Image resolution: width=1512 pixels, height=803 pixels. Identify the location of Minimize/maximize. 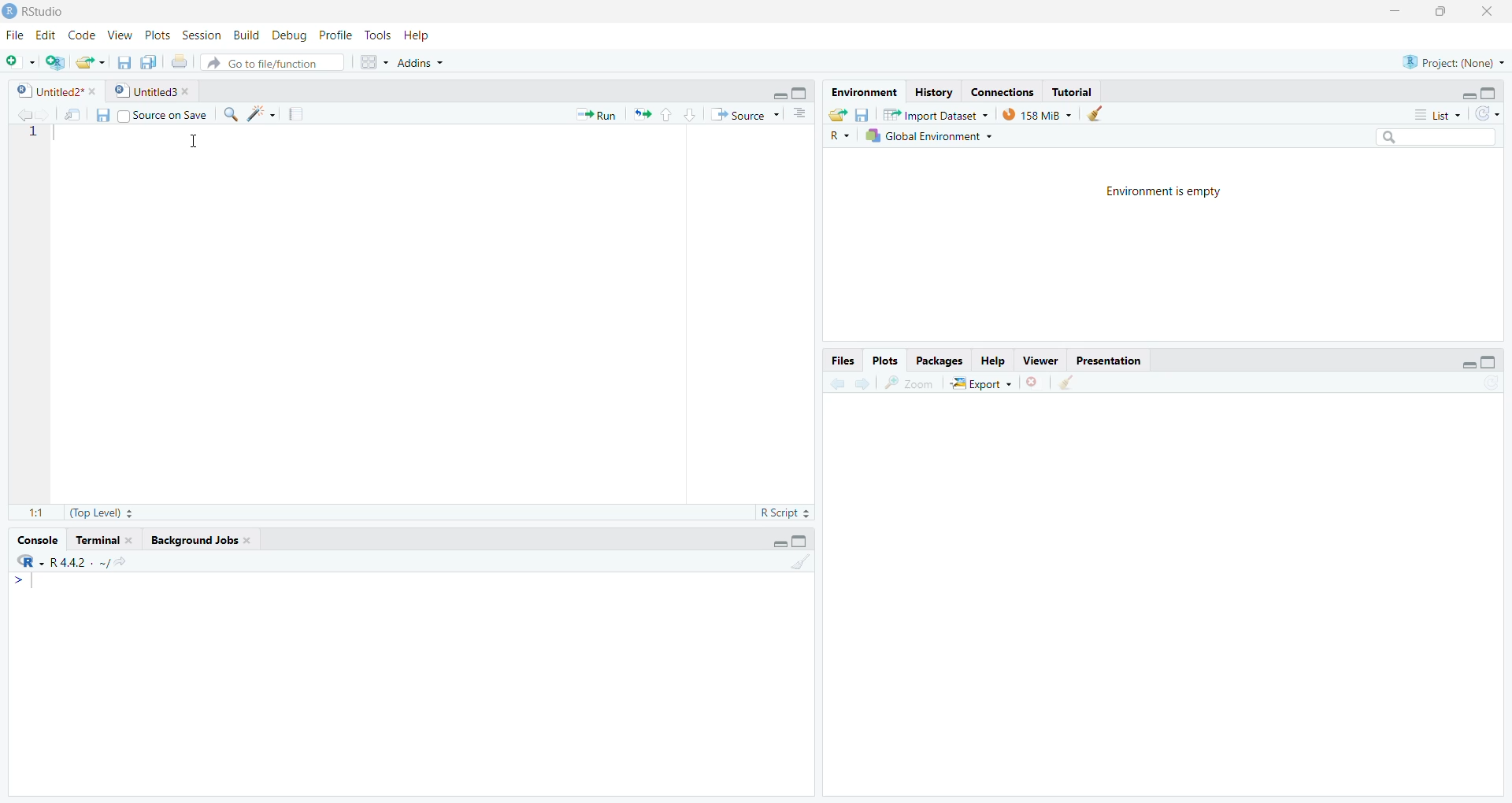
(1466, 92).